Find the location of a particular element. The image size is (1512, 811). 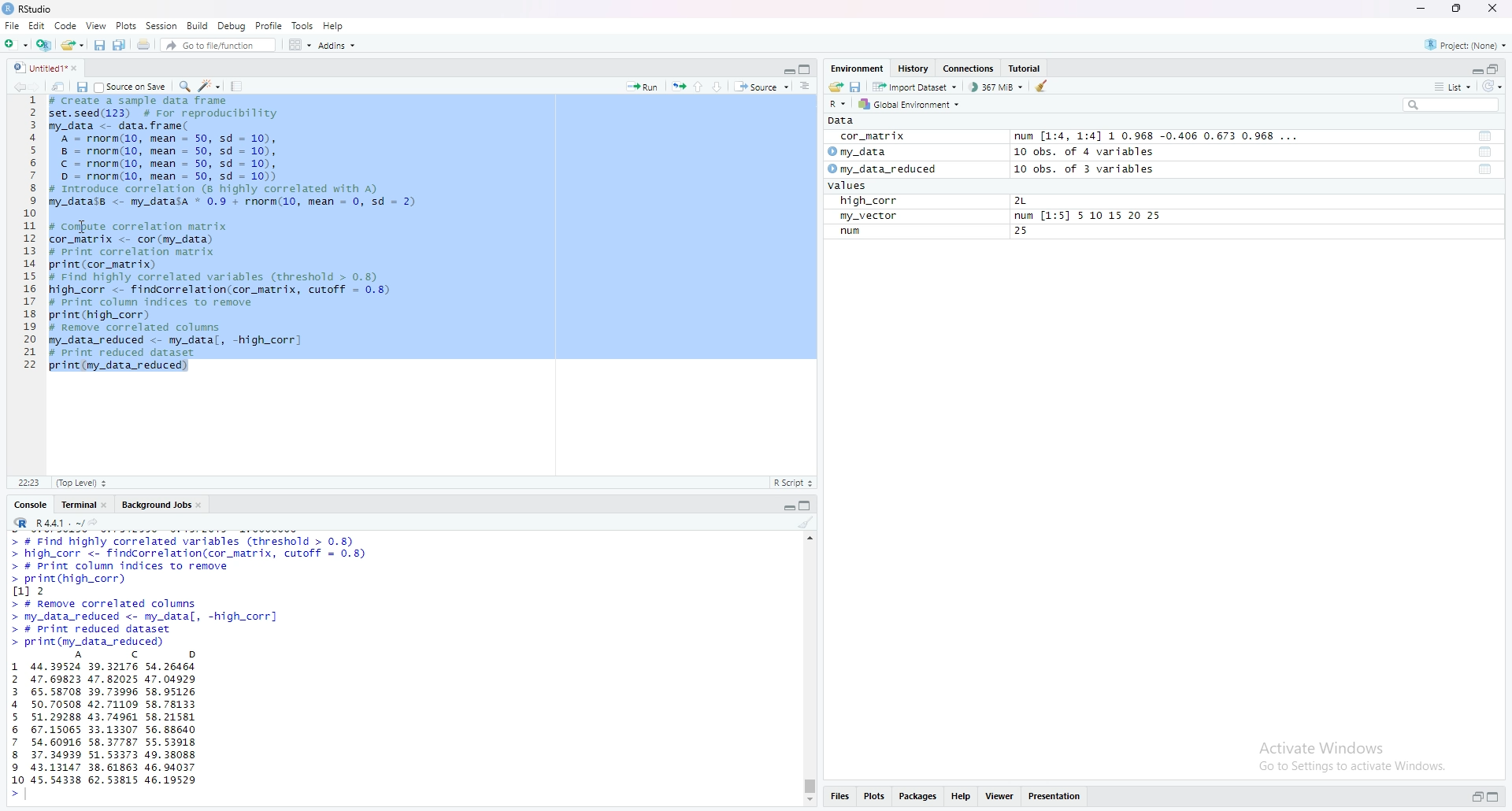

Activate Windows
Go to Settings to activate Windows. is located at coordinates (1354, 758).